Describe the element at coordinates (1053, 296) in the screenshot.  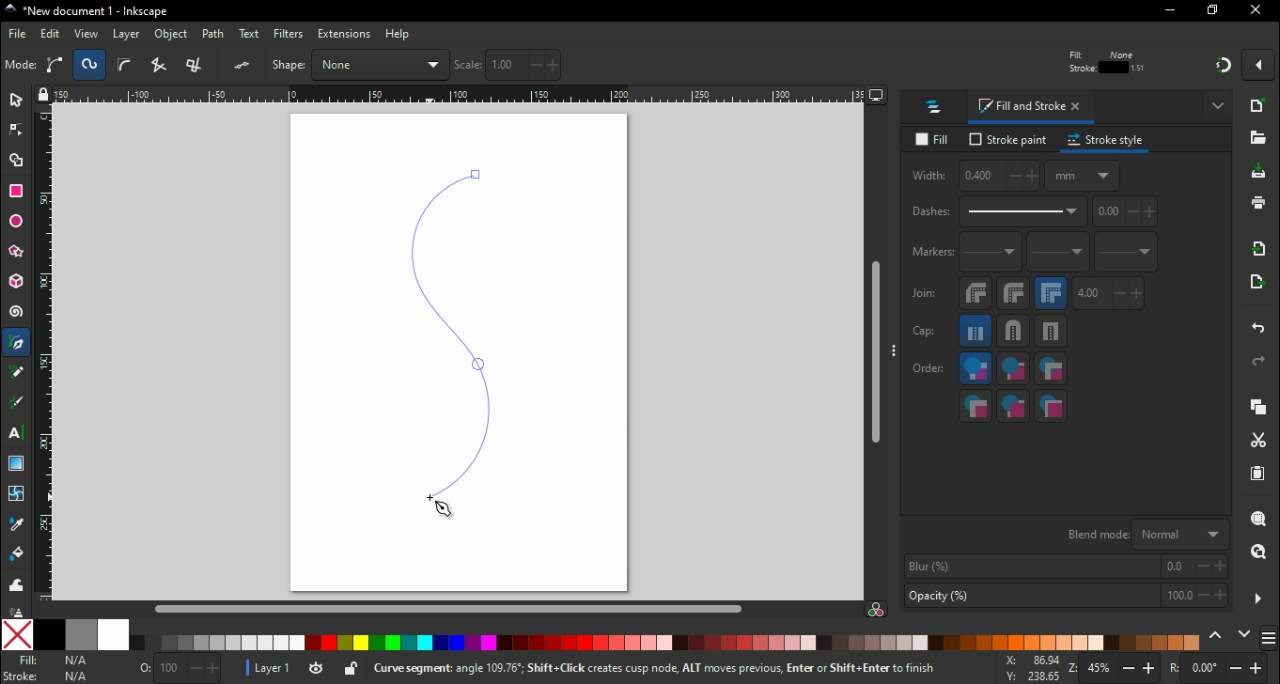
I see `miter` at that location.